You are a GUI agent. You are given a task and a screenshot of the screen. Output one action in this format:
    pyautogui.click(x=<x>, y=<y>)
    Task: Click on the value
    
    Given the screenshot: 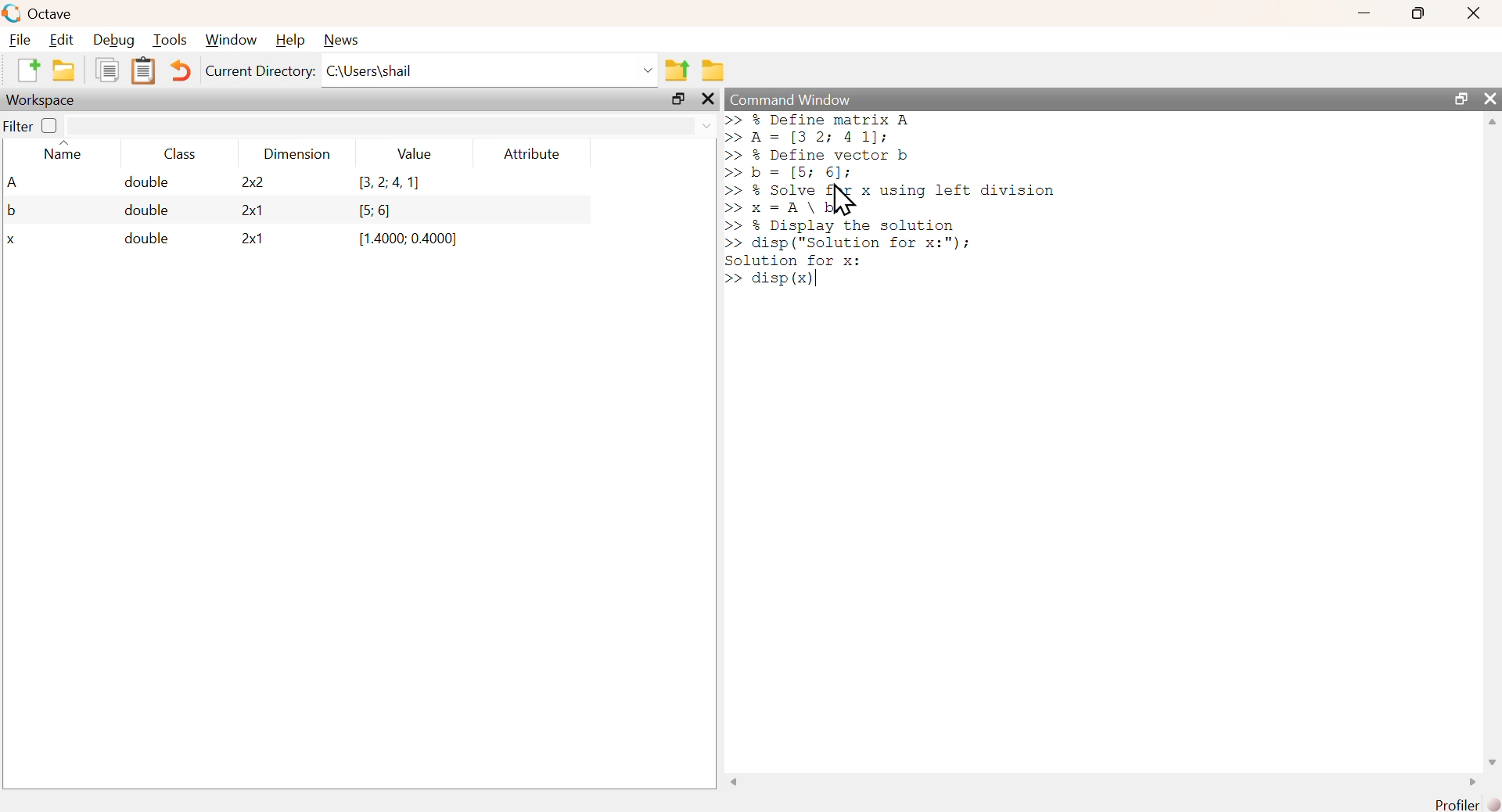 What is the action you would take?
    pyautogui.click(x=414, y=154)
    